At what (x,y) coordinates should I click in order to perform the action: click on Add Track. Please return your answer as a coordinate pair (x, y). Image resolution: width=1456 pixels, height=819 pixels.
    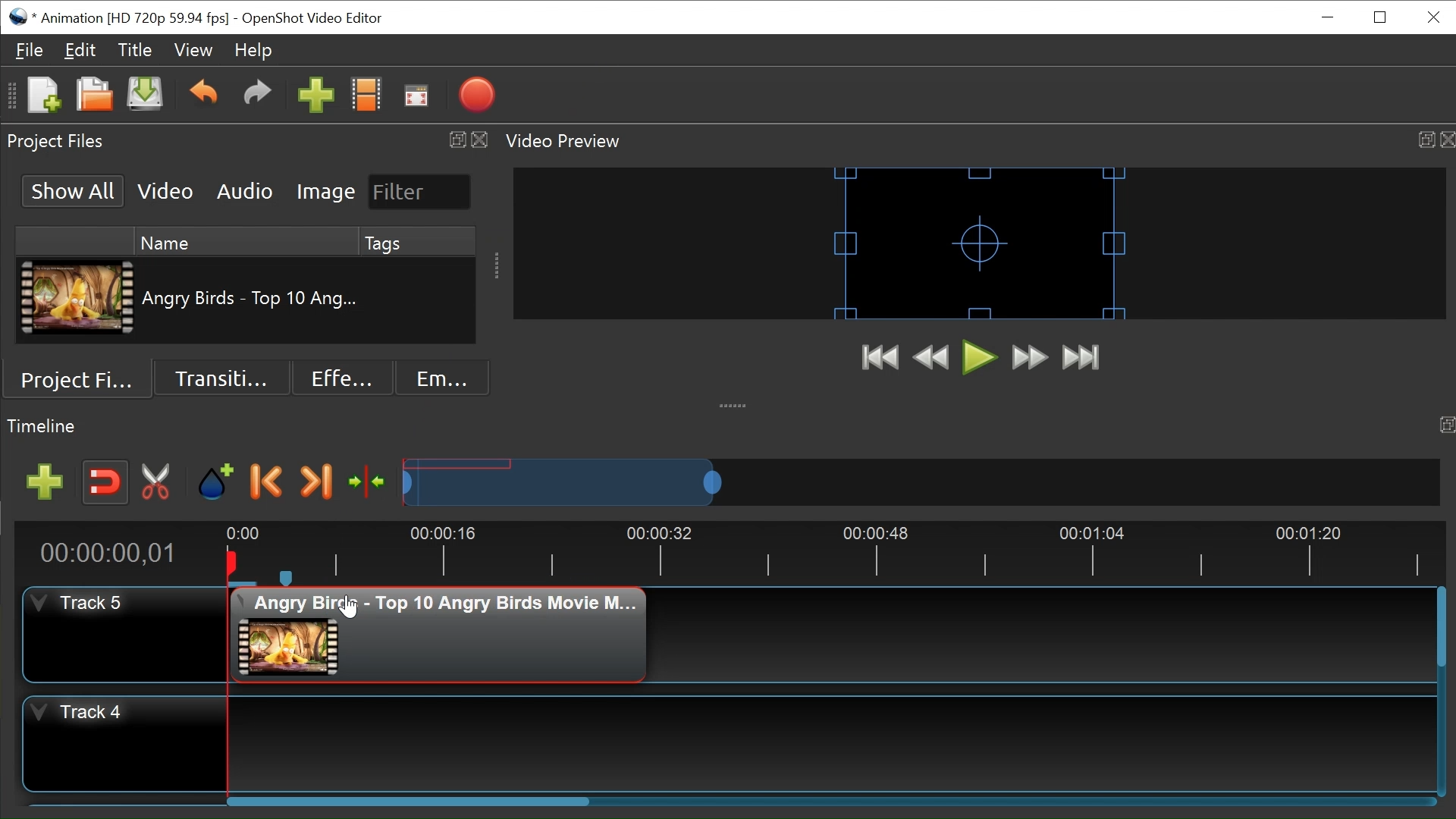
    Looking at the image, I should click on (45, 482).